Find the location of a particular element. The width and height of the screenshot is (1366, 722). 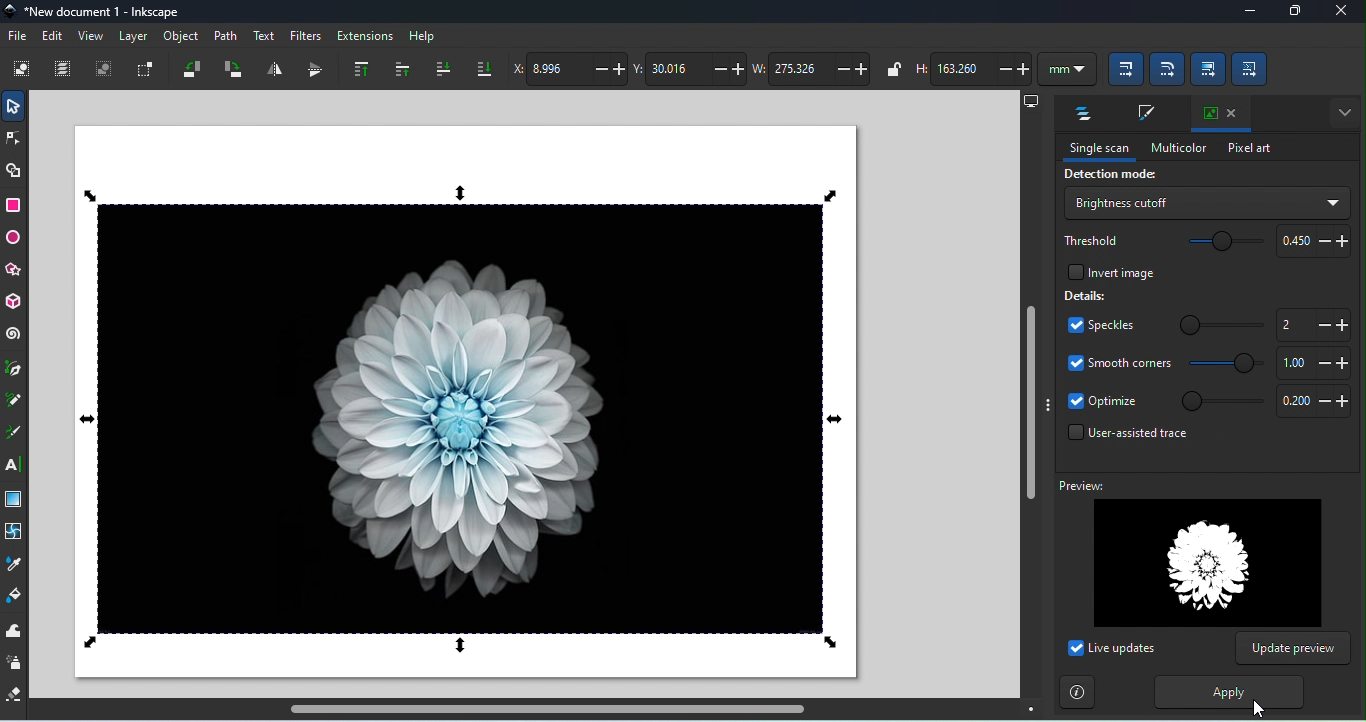

Increase or decrease speckles is located at coordinates (1312, 325).